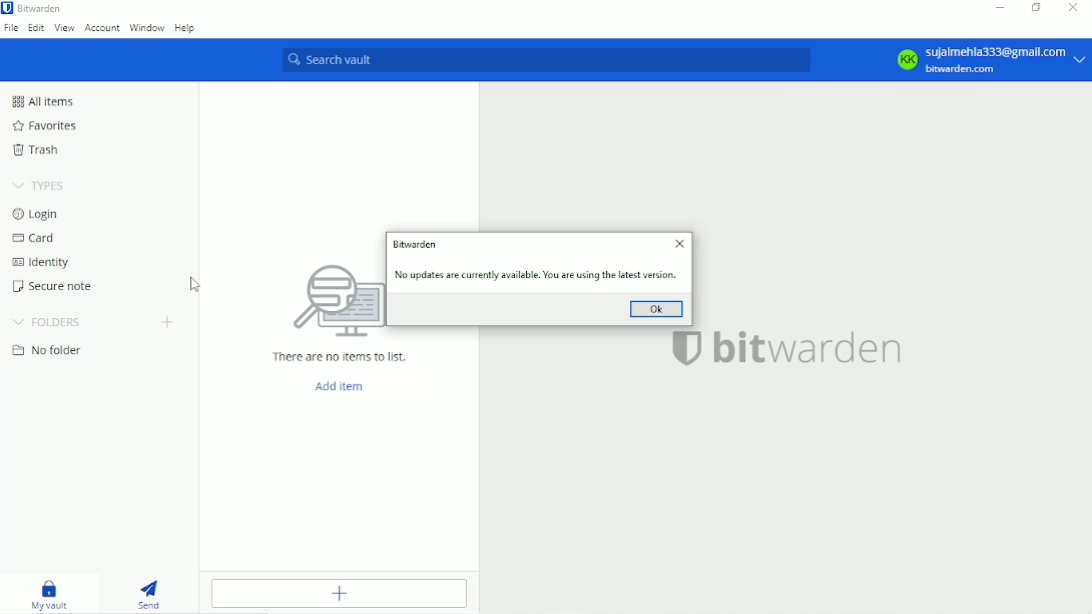 Image resolution: width=1092 pixels, height=614 pixels. What do you see at coordinates (45, 100) in the screenshot?
I see `All items` at bounding box center [45, 100].